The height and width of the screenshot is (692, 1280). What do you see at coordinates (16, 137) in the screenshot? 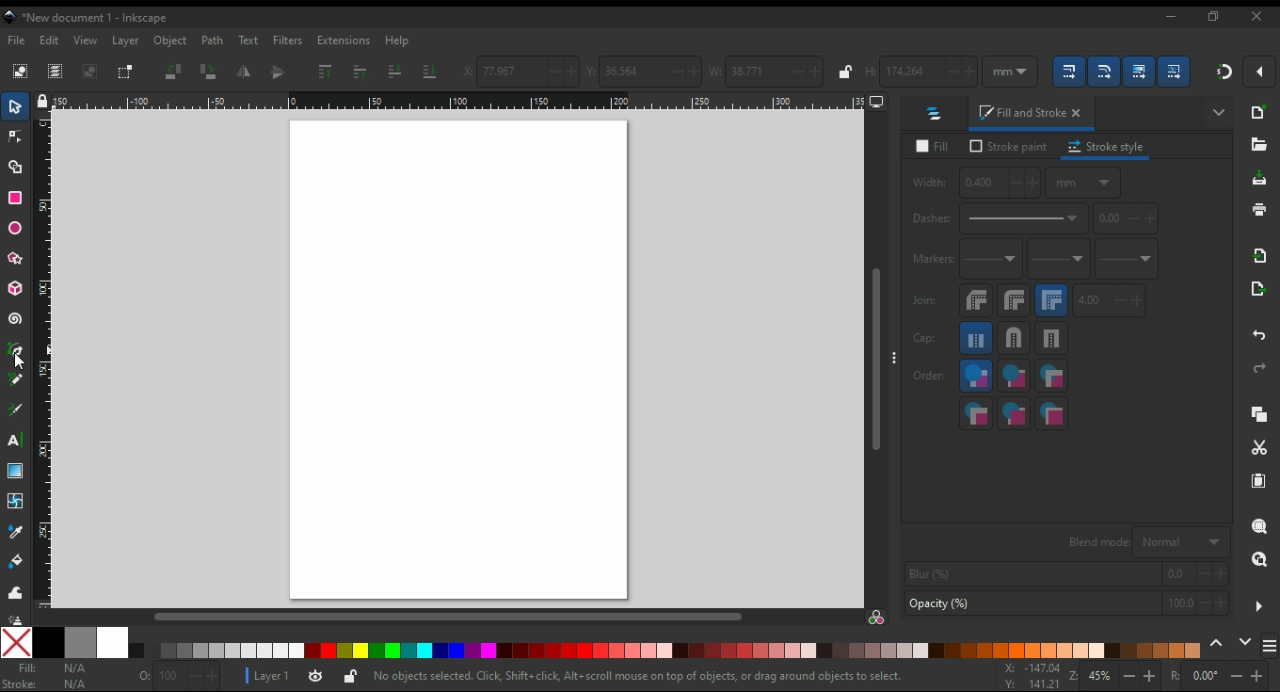
I see `node tool` at bounding box center [16, 137].